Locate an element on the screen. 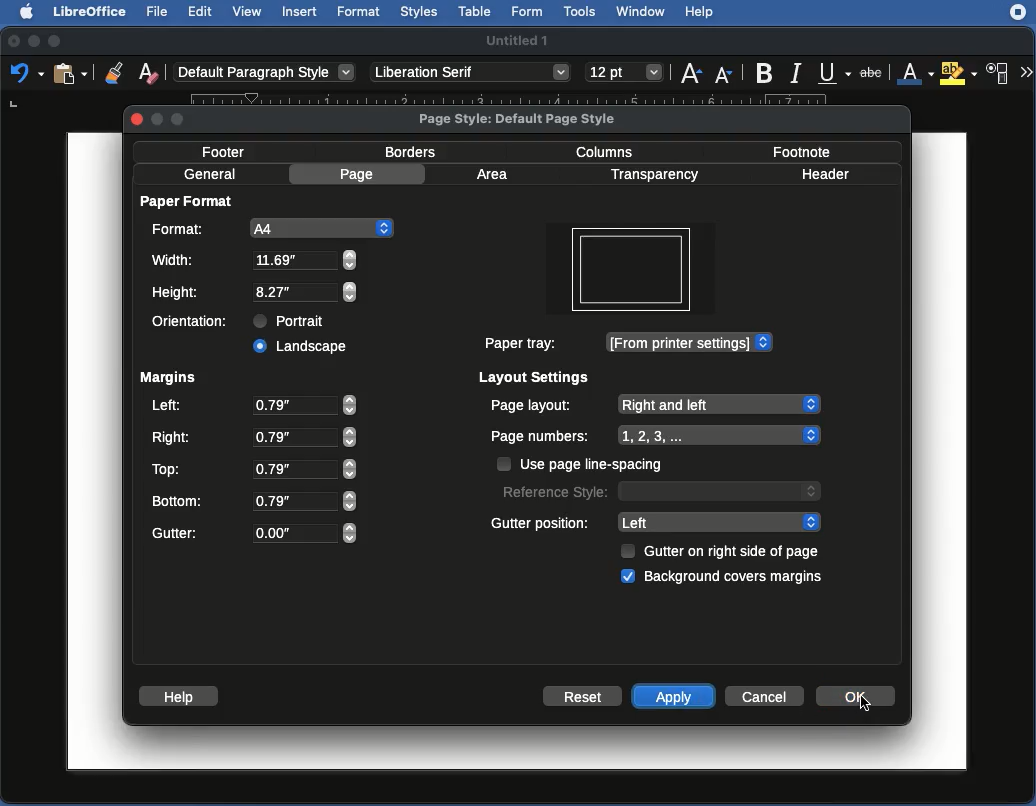 The height and width of the screenshot is (806, 1036). LibreOffice is located at coordinates (91, 12).